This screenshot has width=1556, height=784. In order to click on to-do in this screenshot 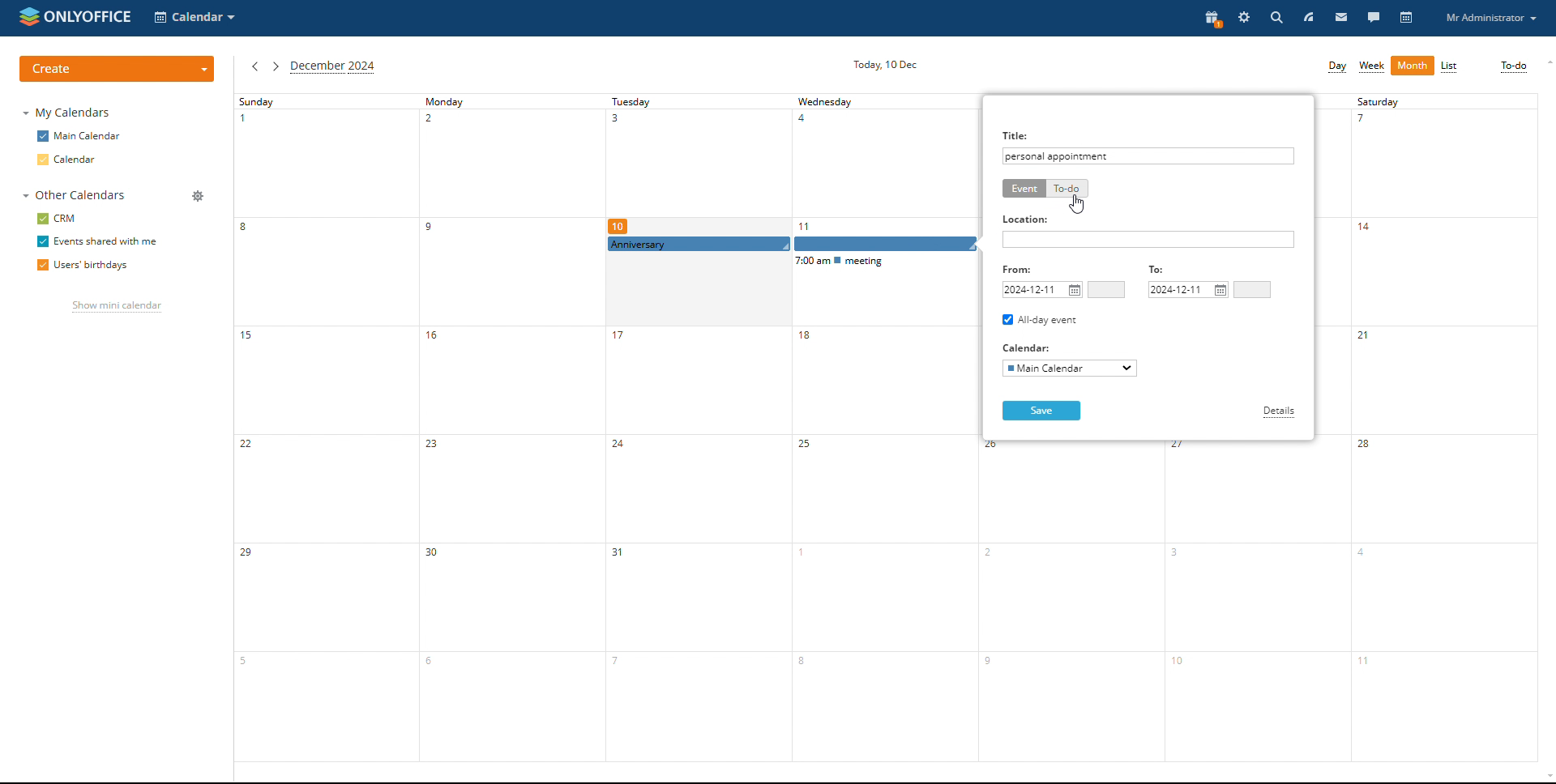, I will do `click(1513, 67)`.